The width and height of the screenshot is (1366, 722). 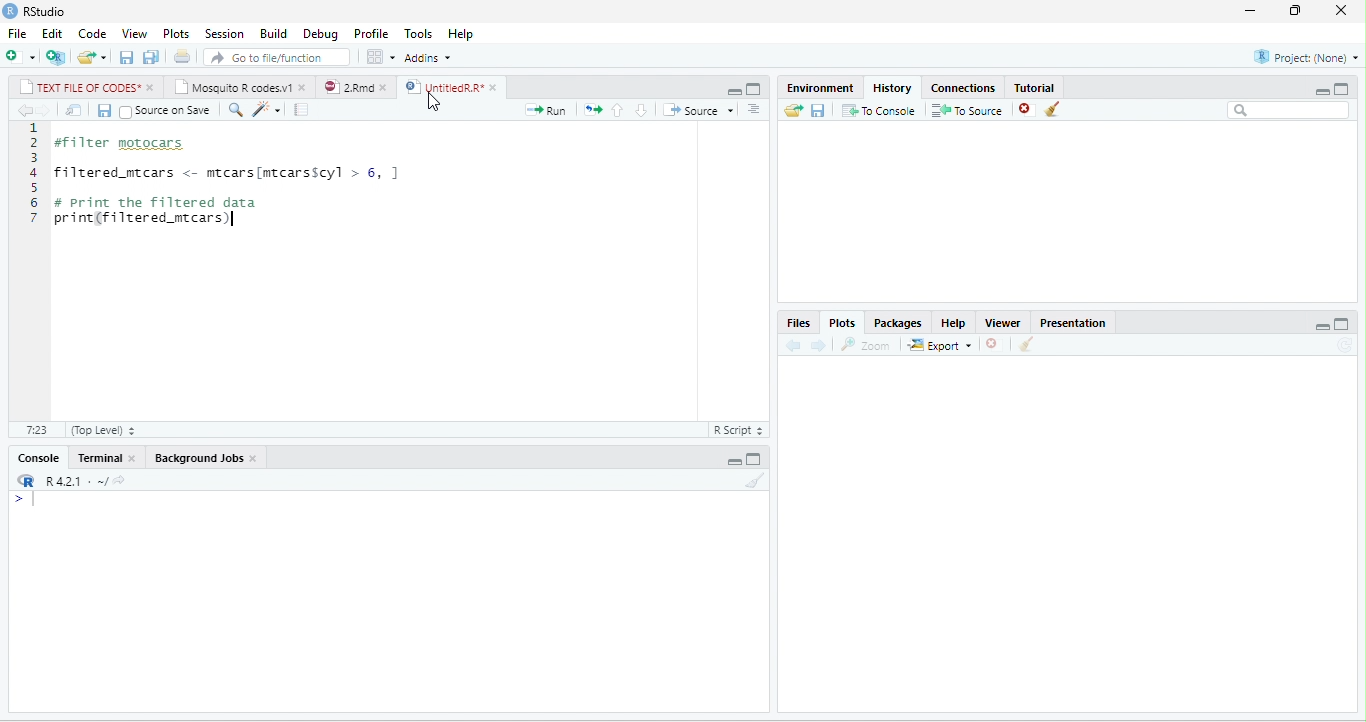 I want to click on File, so click(x=17, y=33).